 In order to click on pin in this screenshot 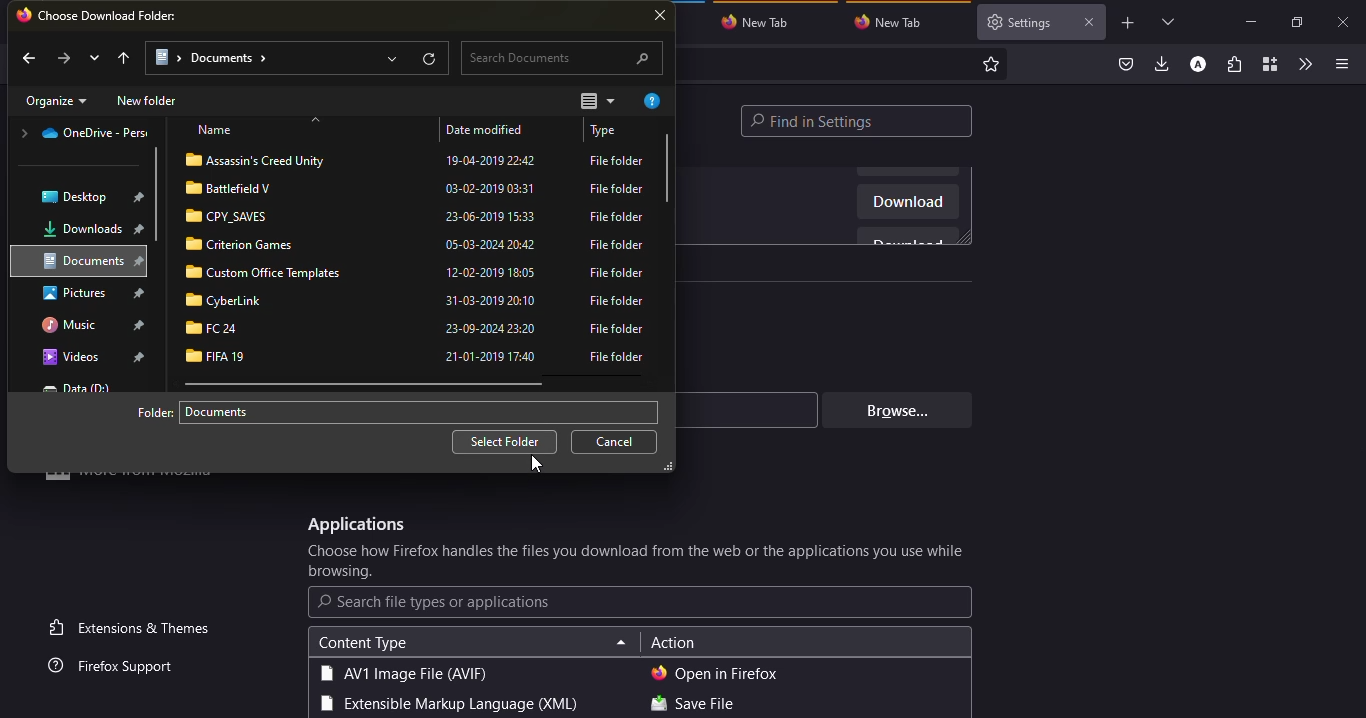, I will do `click(141, 231)`.